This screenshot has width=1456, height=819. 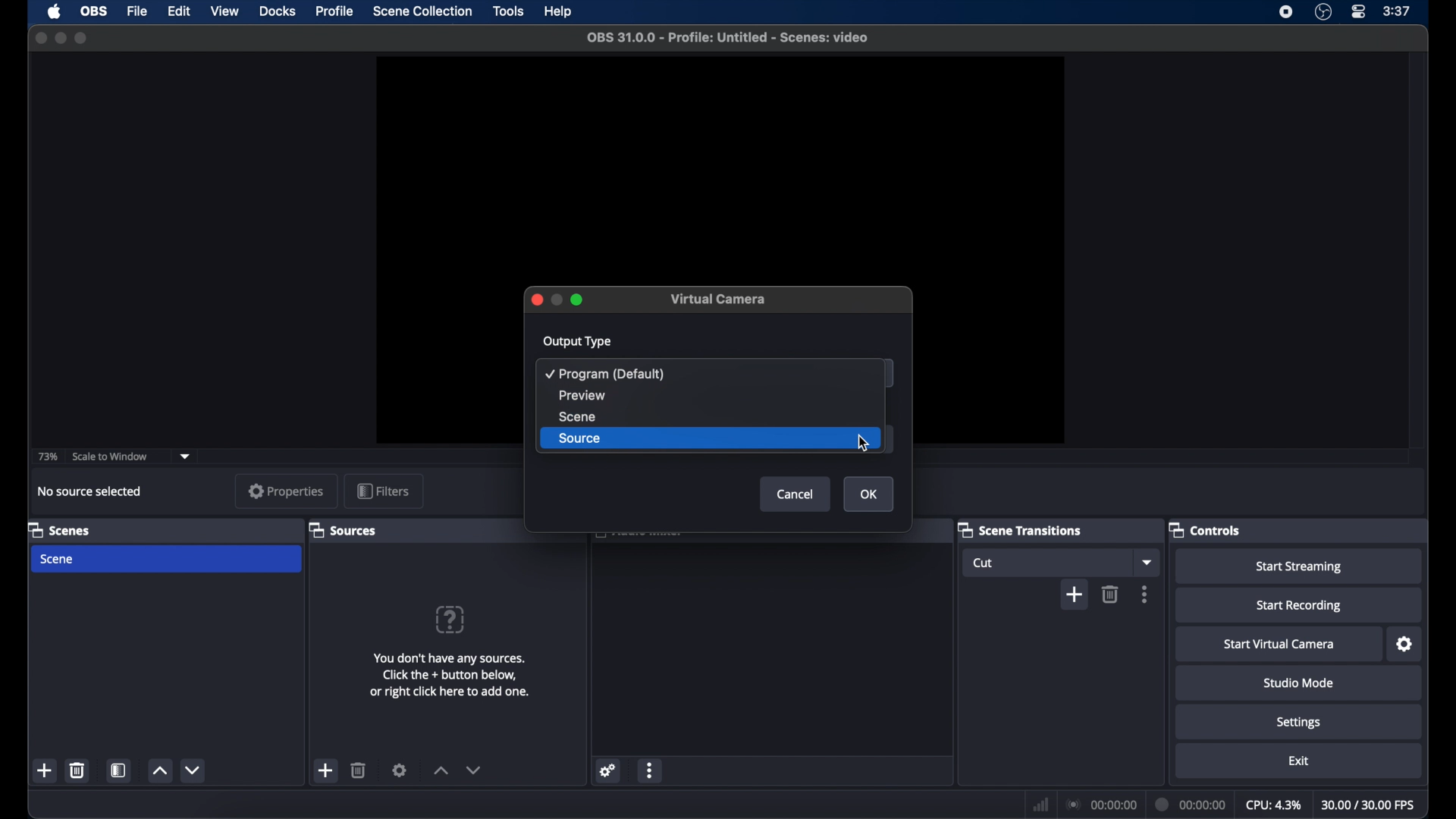 What do you see at coordinates (577, 416) in the screenshot?
I see `scene` at bounding box center [577, 416].